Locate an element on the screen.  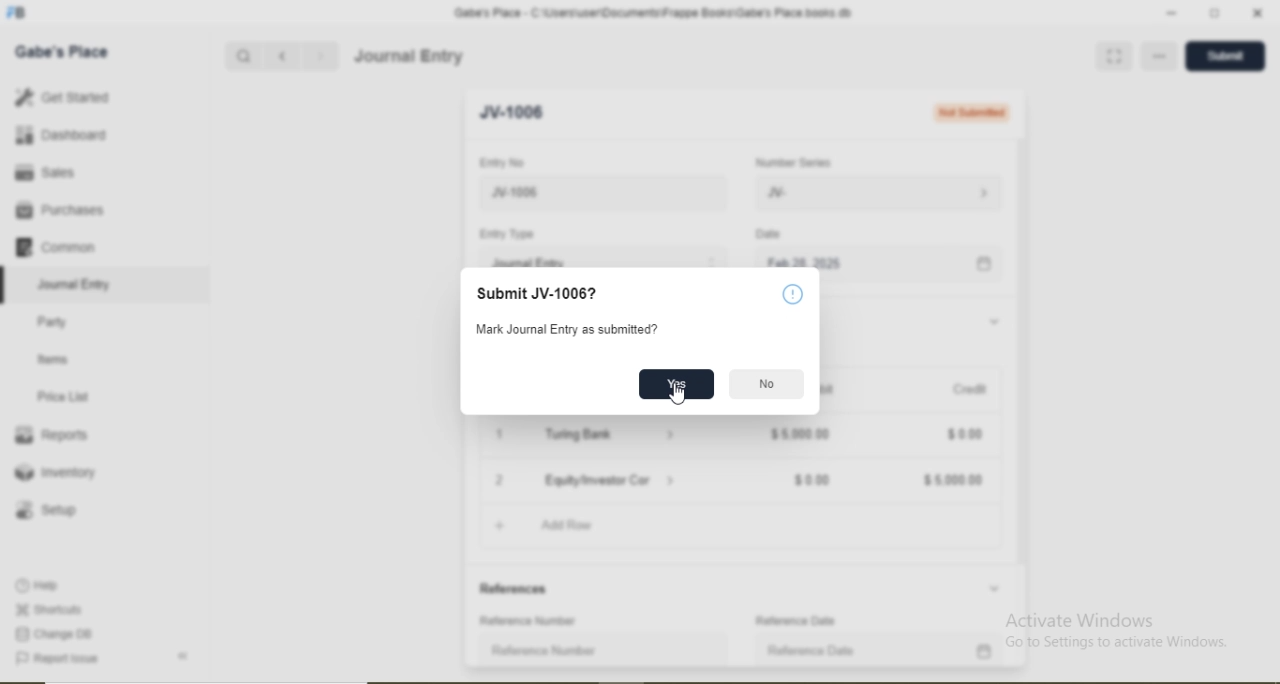
Back is located at coordinates (182, 656).